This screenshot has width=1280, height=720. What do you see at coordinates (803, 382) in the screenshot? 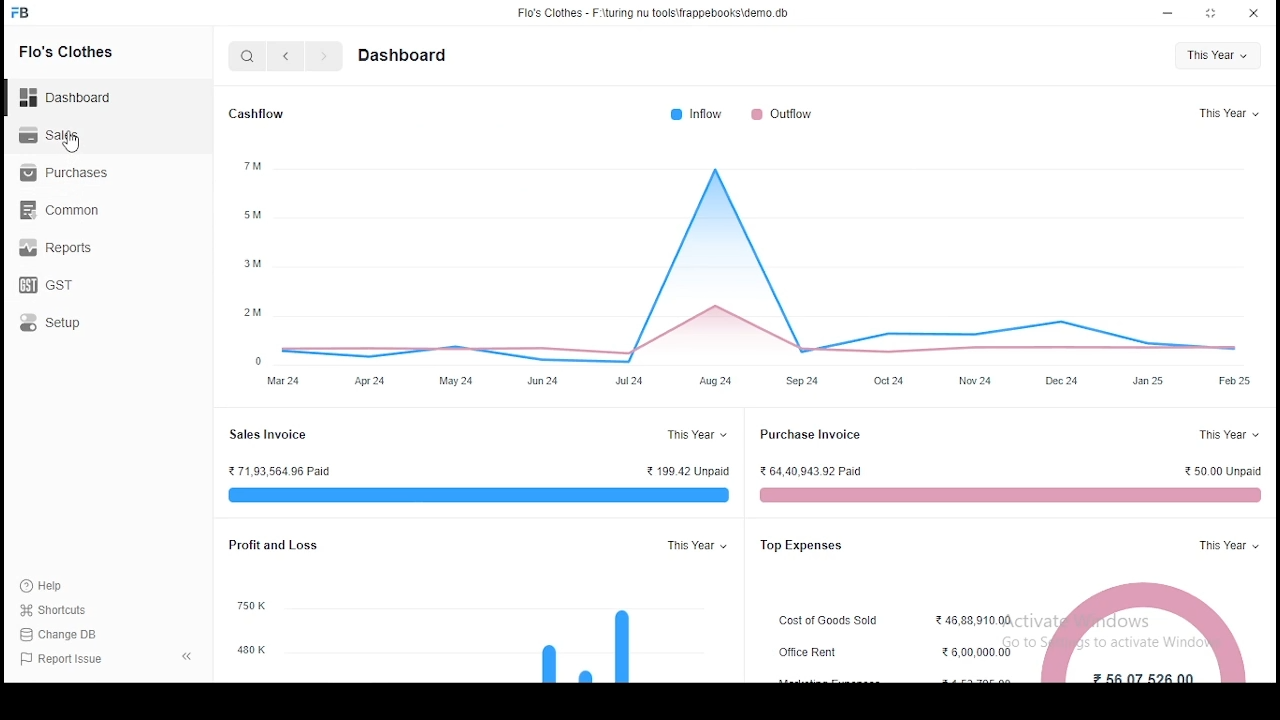
I see `Sep24` at bounding box center [803, 382].